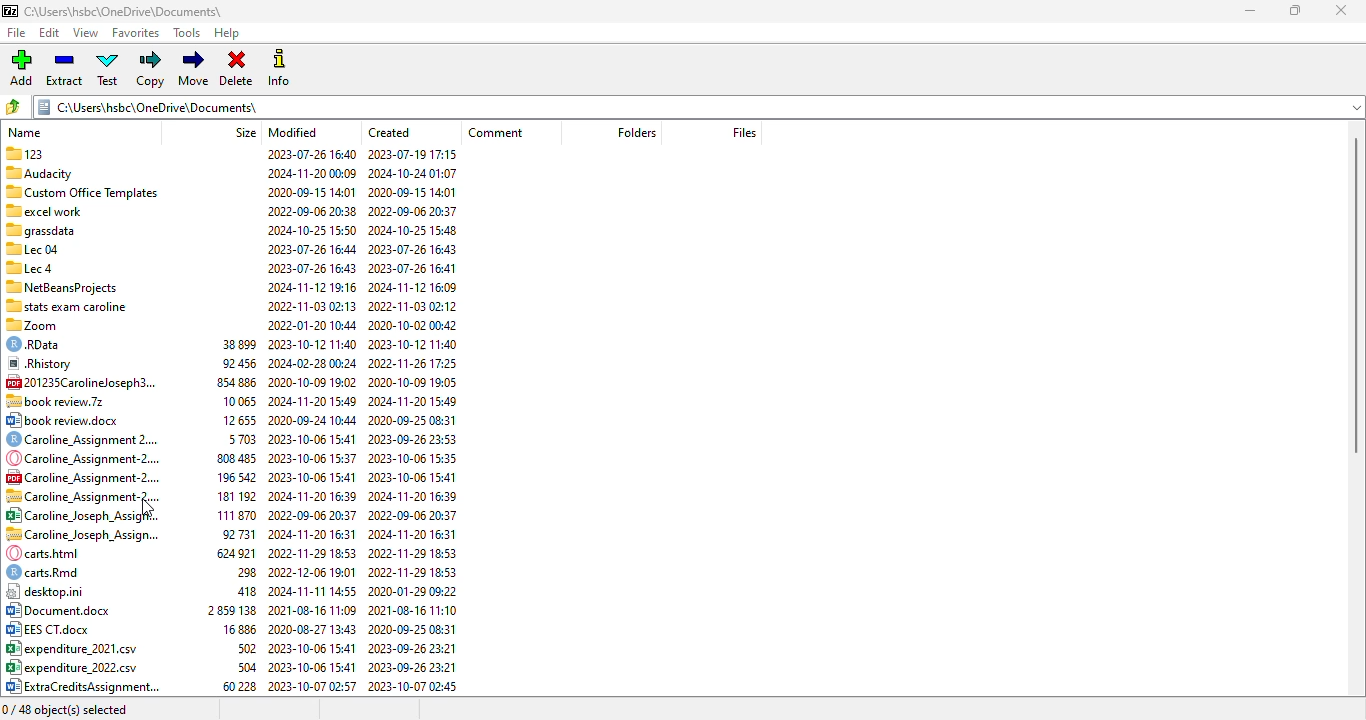  I want to click on SB Caroline Assianment-2.... 181192 2024-11-20 16:39 2024-11-20 16:39, so click(229, 494).